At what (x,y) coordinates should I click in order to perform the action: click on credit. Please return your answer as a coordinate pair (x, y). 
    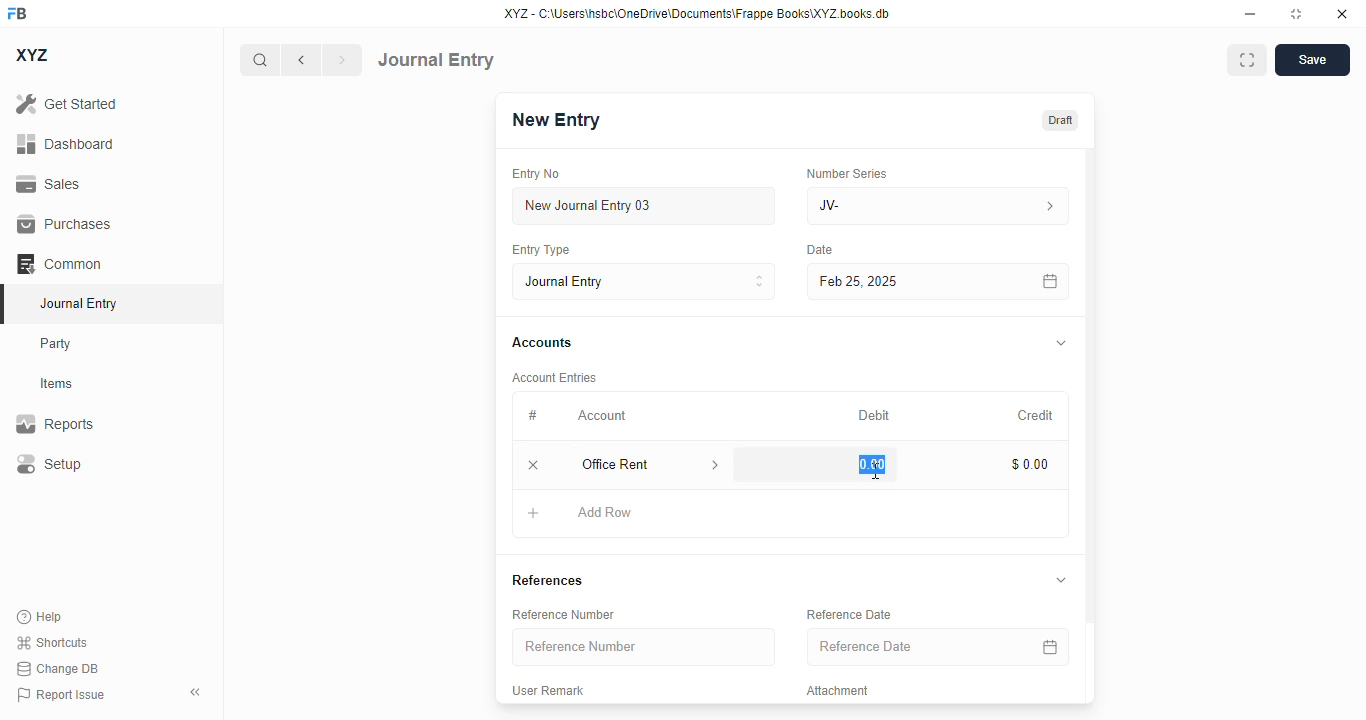
    Looking at the image, I should click on (1037, 416).